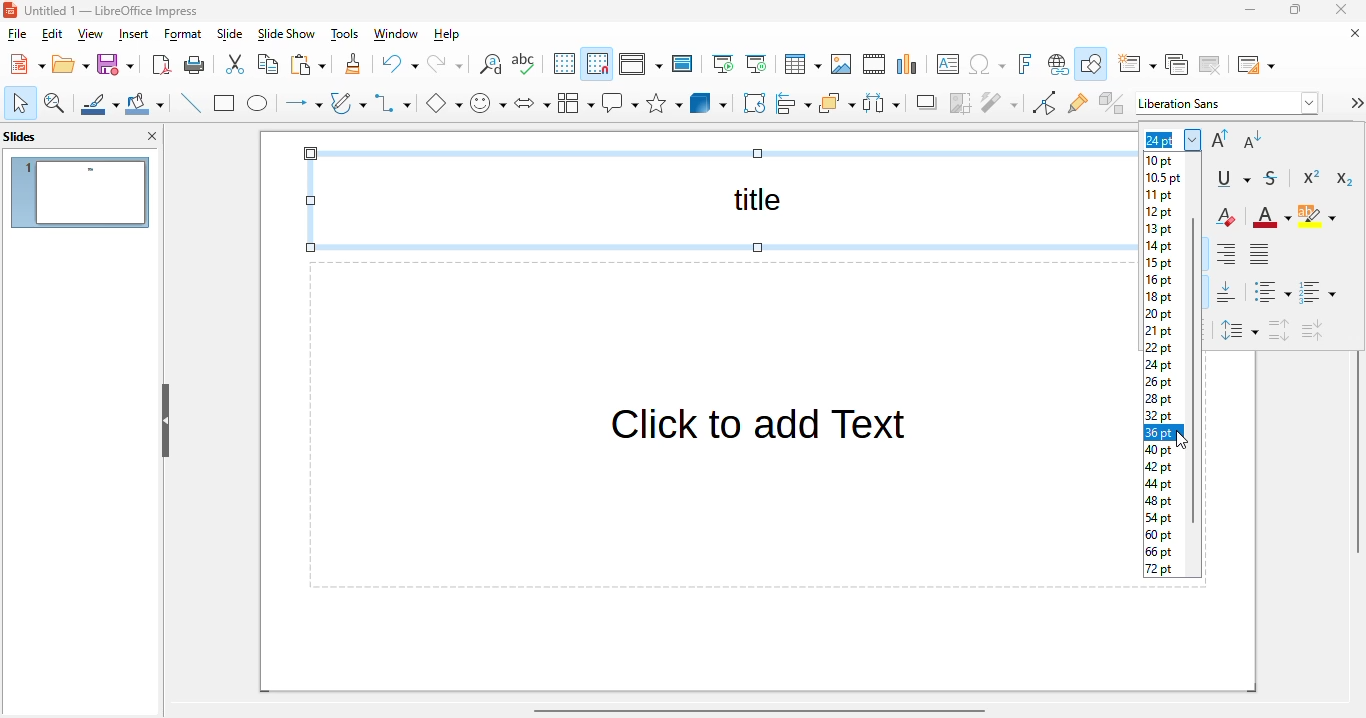  I want to click on slide, so click(231, 35).